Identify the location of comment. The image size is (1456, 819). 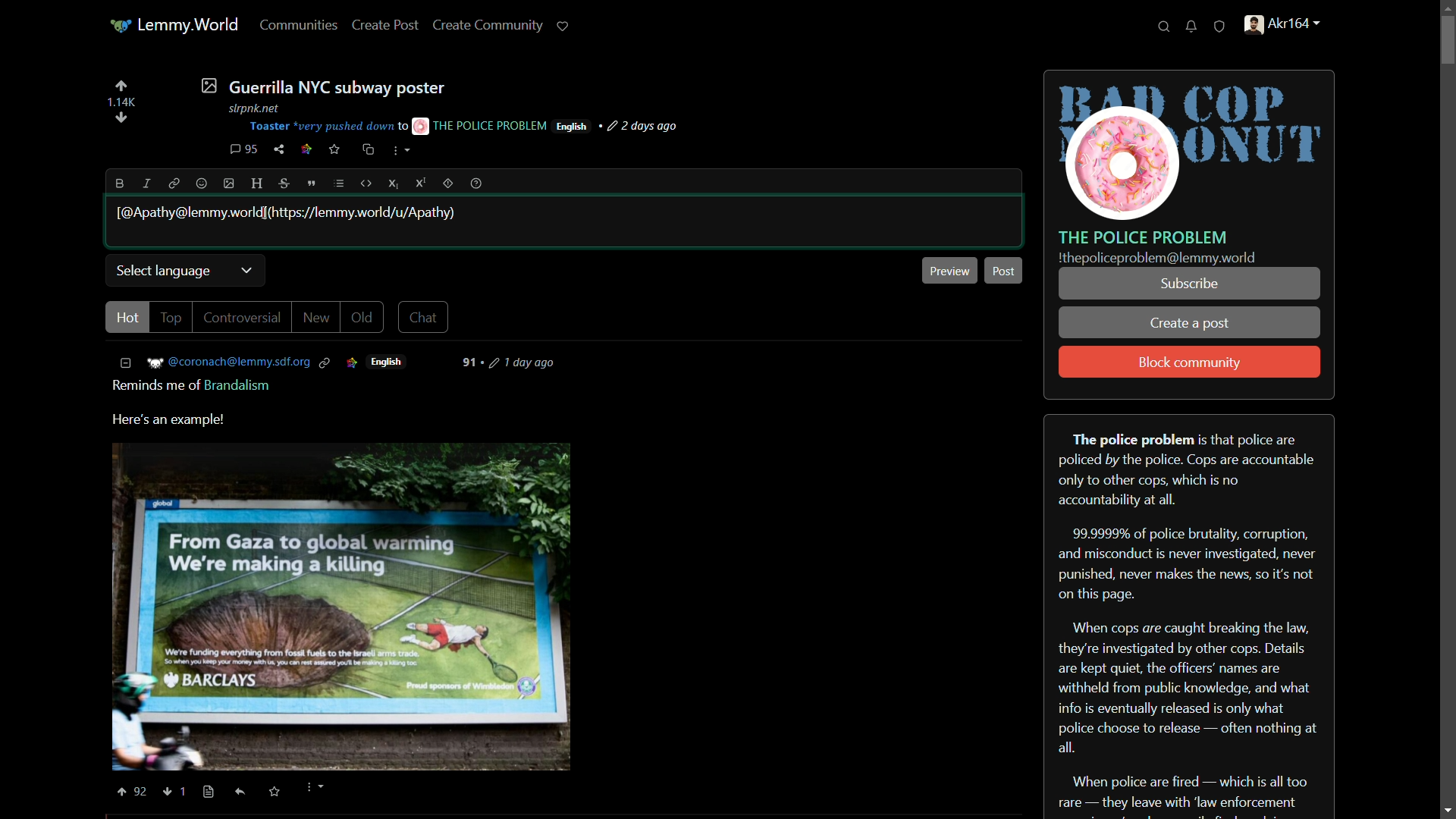
(243, 149).